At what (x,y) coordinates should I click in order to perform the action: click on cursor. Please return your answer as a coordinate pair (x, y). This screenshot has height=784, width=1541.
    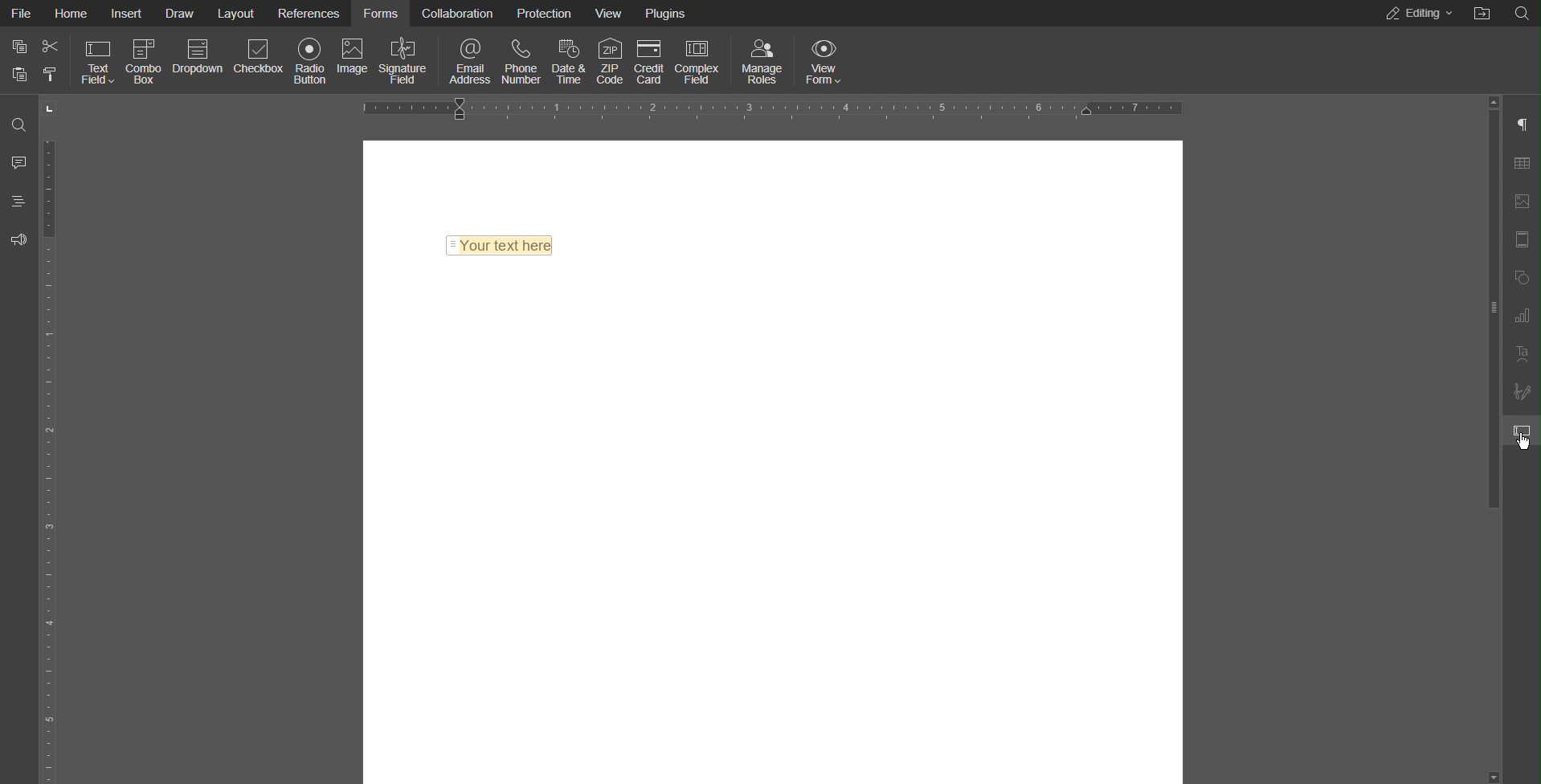
    Looking at the image, I should click on (1523, 443).